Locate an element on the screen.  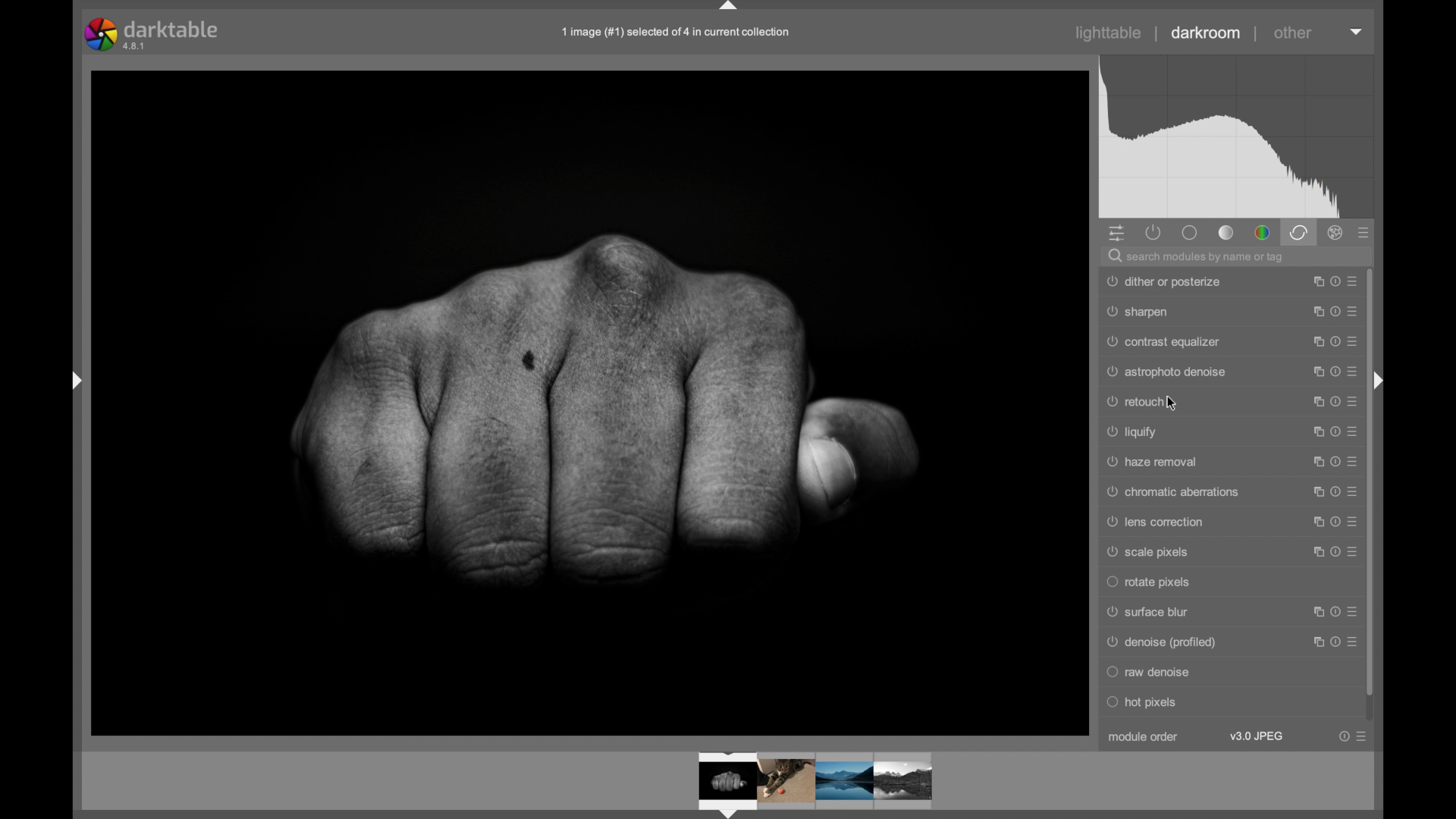
chromatic aberrations is located at coordinates (1174, 491).